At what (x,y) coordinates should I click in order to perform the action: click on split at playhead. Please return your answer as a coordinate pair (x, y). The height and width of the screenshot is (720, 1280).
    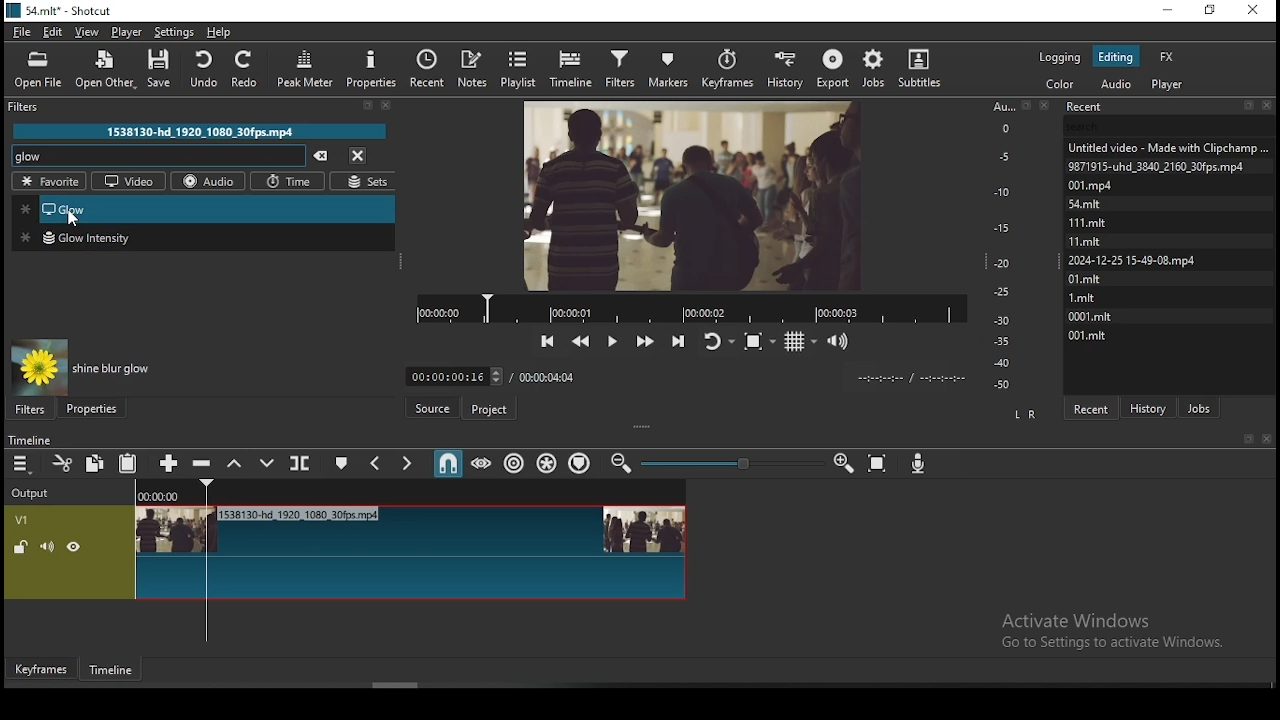
    Looking at the image, I should click on (297, 463).